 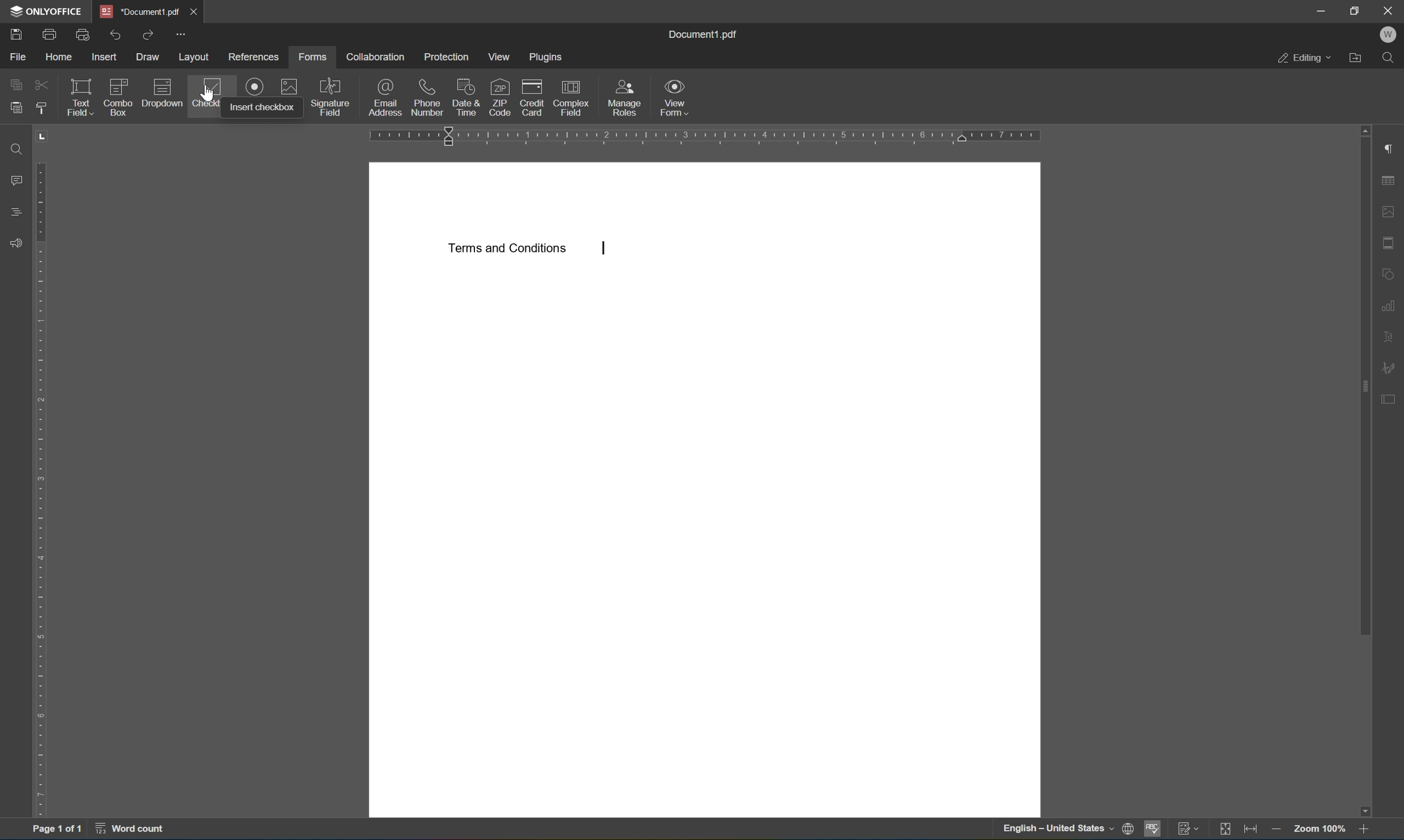 What do you see at coordinates (80, 97) in the screenshot?
I see `text field` at bounding box center [80, 97].